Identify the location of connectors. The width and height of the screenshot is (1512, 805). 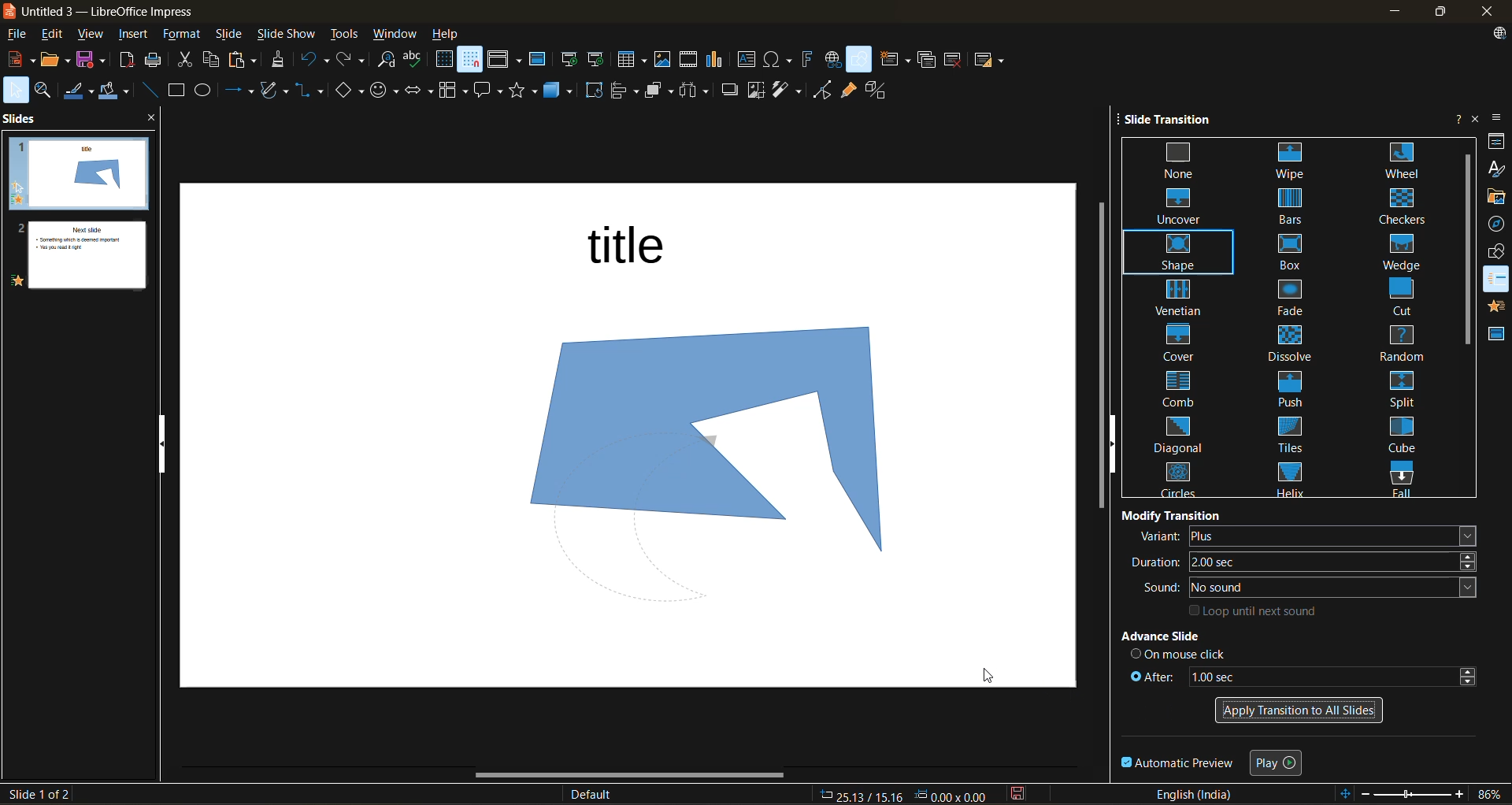
(310, 90).